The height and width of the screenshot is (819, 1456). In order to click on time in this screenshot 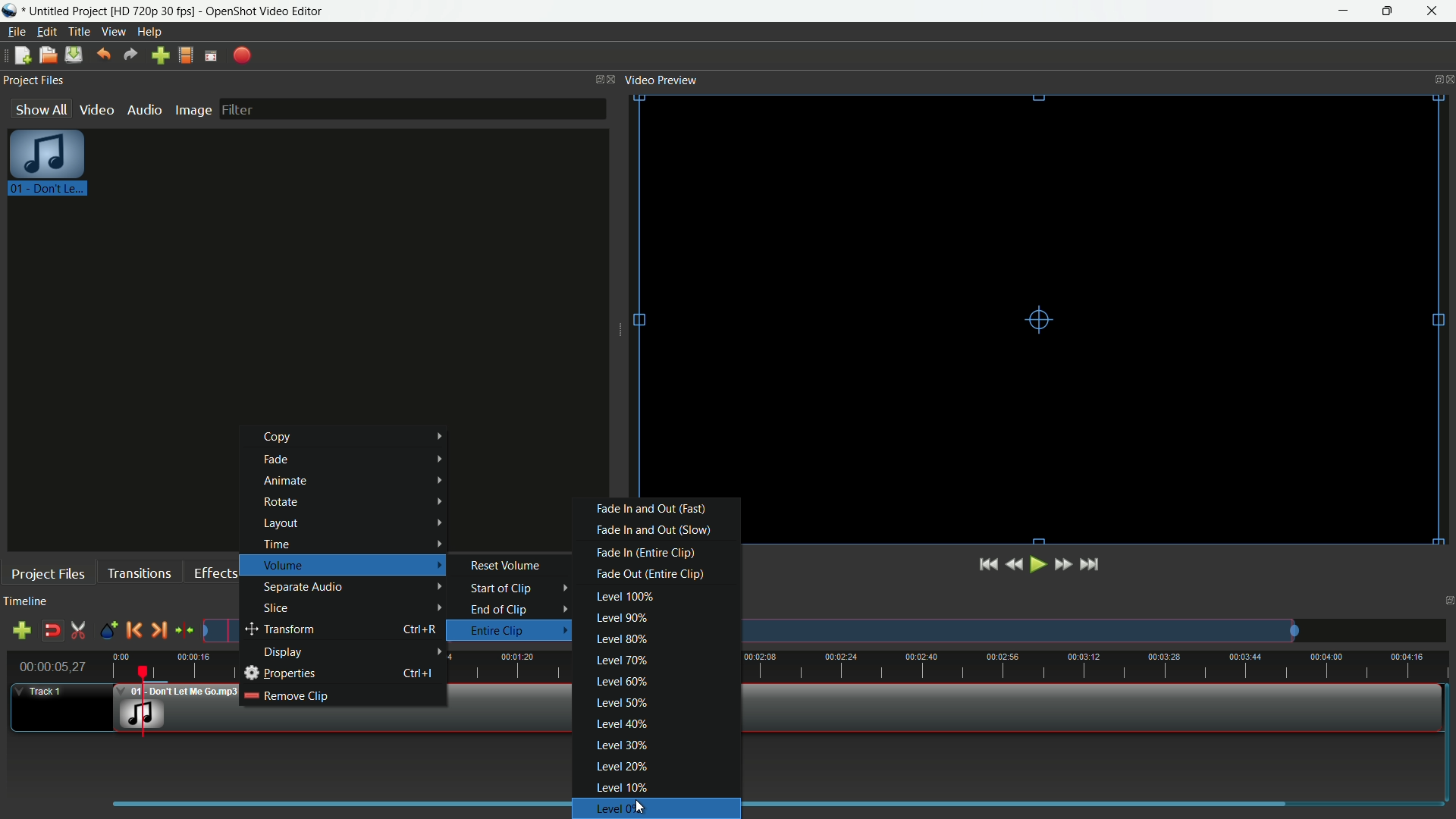, I will do `click(350, 544)`.